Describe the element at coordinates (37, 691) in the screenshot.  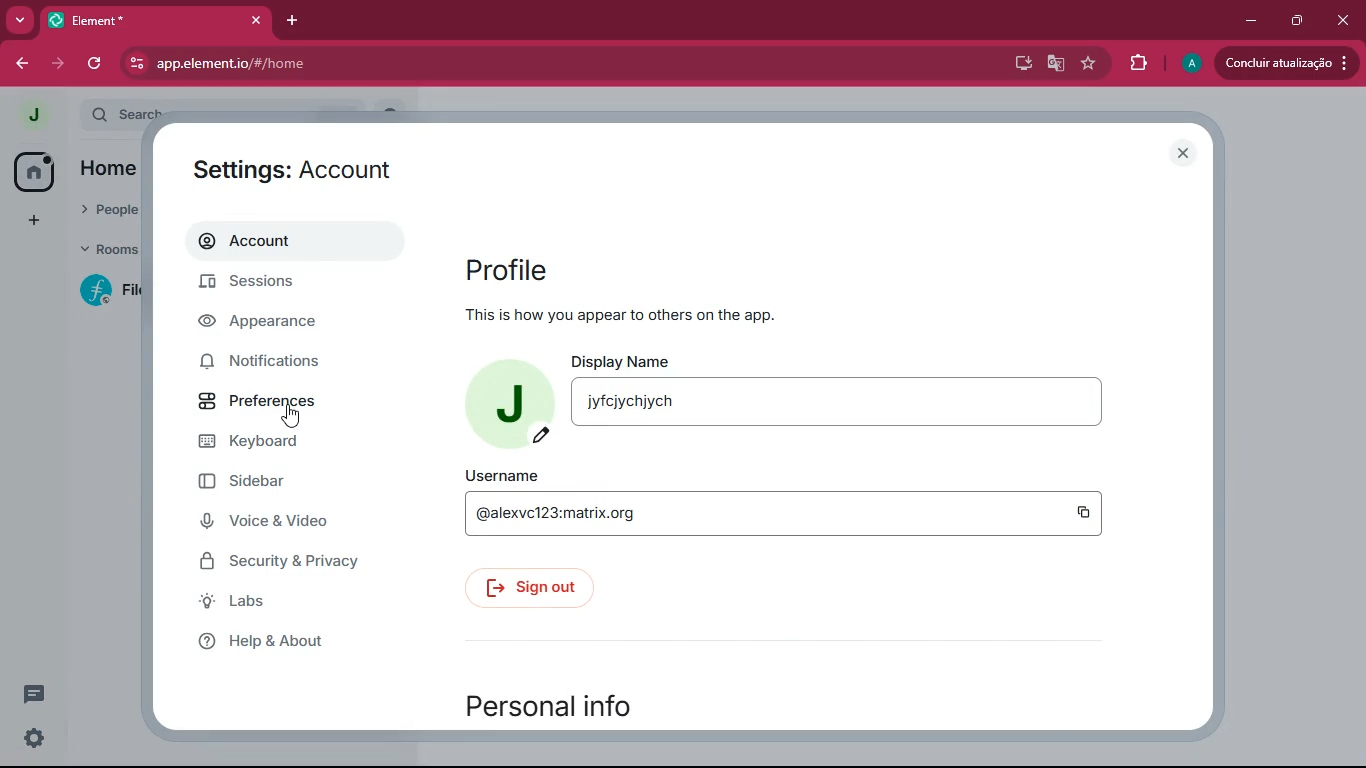
I see `comments` at that location.